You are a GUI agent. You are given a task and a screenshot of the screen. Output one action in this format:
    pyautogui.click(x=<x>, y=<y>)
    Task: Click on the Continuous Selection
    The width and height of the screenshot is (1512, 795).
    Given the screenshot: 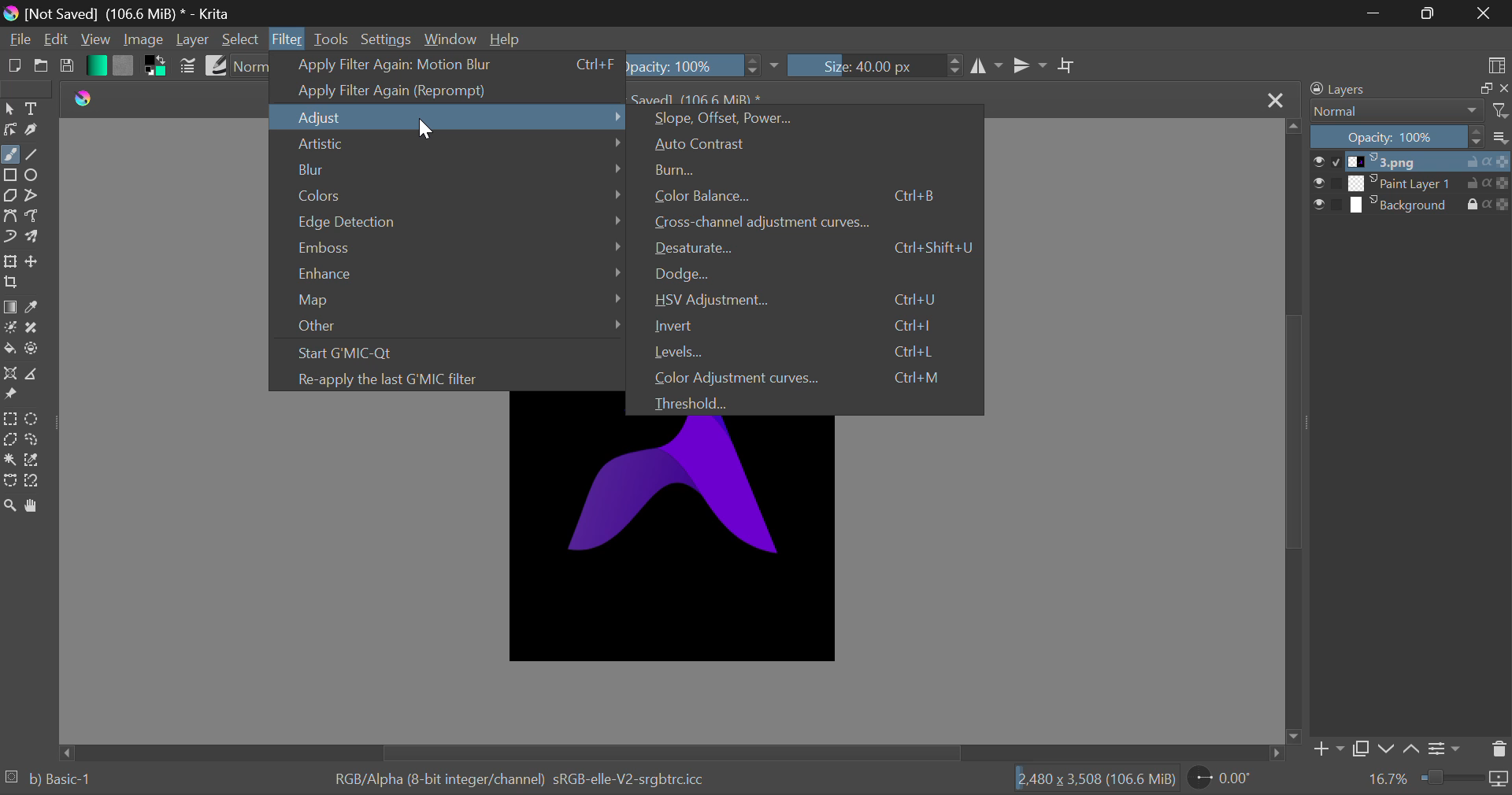 What is the action you would take?
    pyautogui.click(x=9, y=462)
    